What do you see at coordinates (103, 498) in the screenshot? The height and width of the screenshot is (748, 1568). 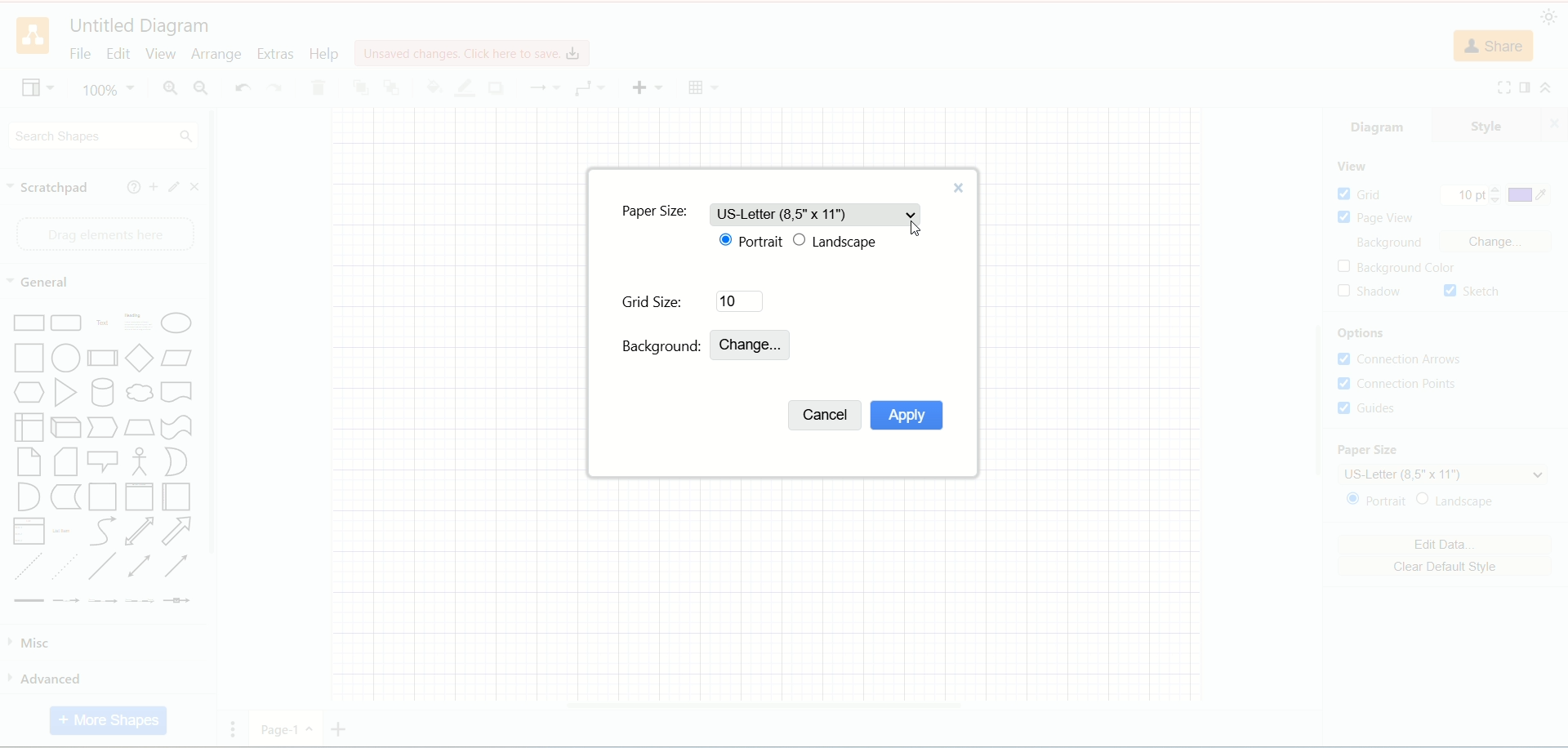 I see `Container` at bounding box center [103, 498].